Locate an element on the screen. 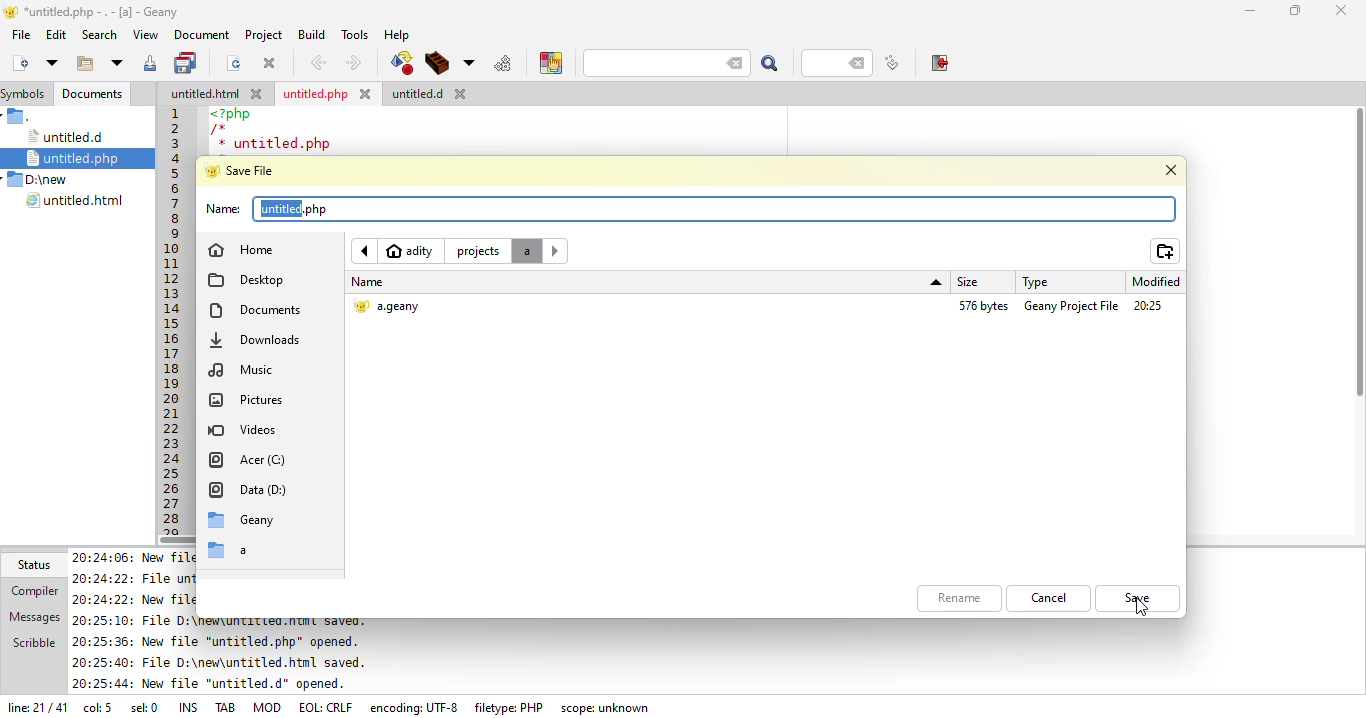 The width and height of the screenshot is (1366, 718). music is located at coordinates (244, 369).